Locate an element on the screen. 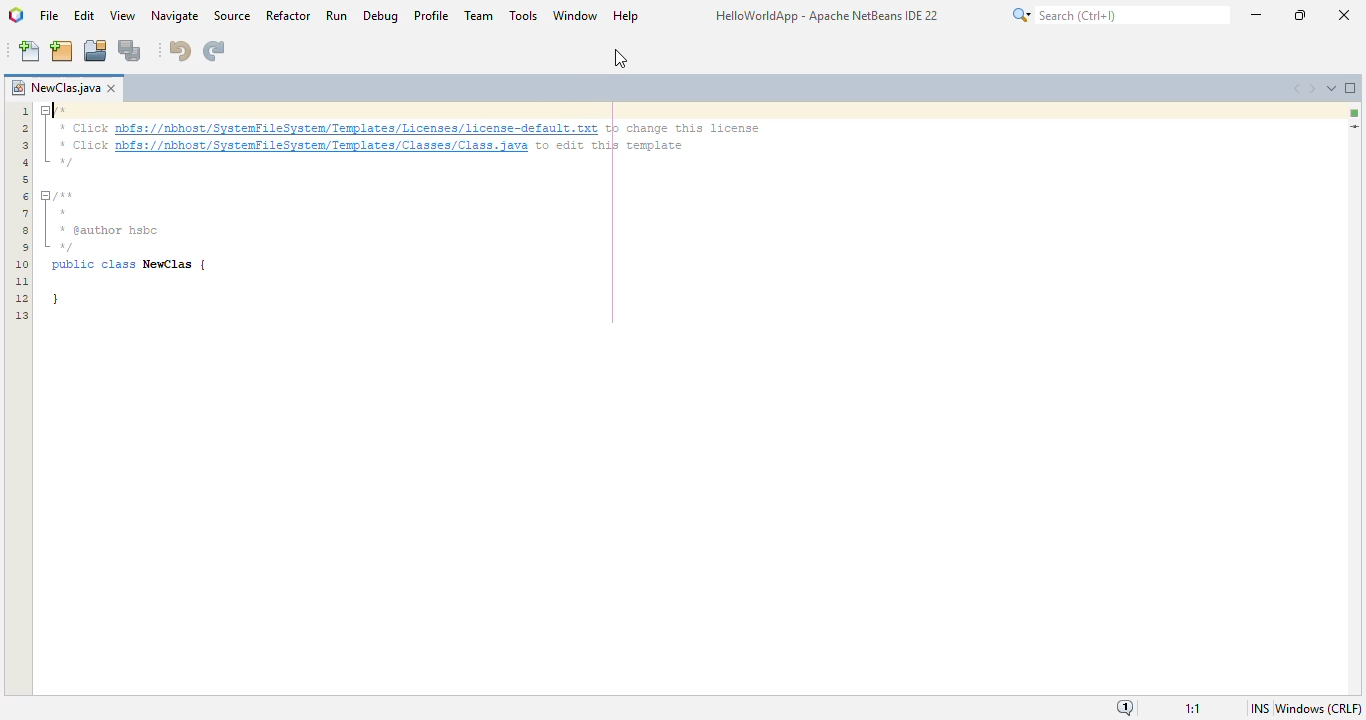 This screenshot has width=1366, height=720. cursor is located at coordinates (622, 59).